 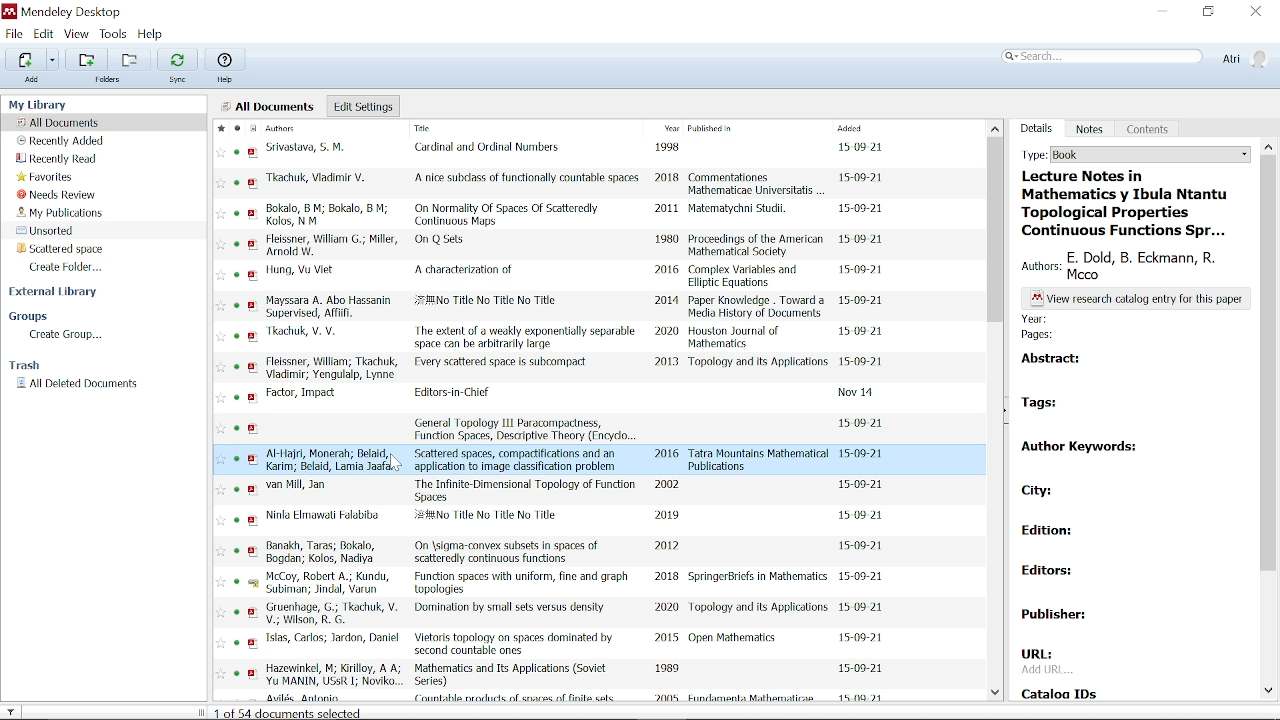 What do you see at coordinates (523, 583) in the screenshot?
I see `title` at bounding box center [523, 583].